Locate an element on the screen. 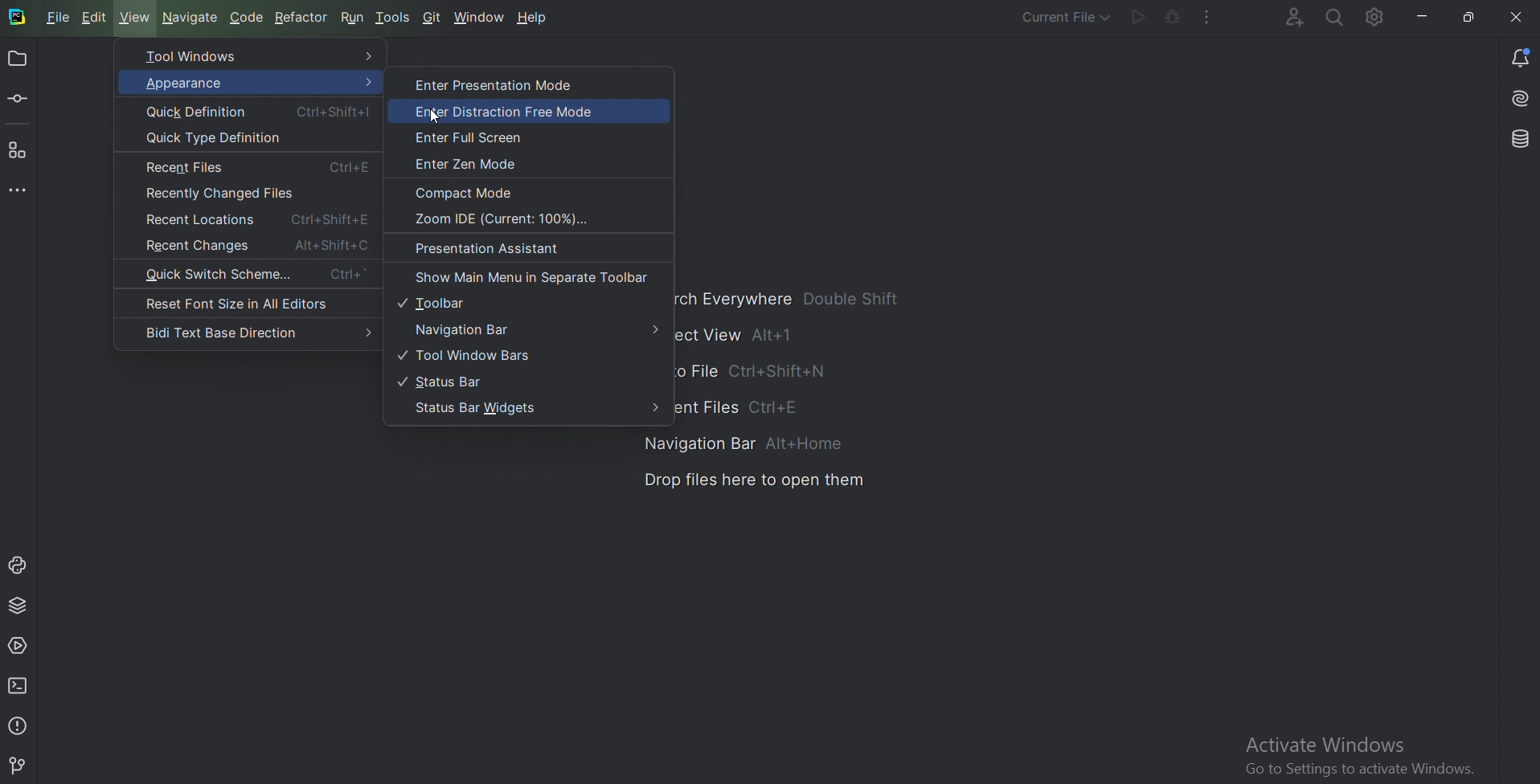 Image resolution: width=1540 pixels, height=784 pixels. Navigate is located at coordinates (192, 18).